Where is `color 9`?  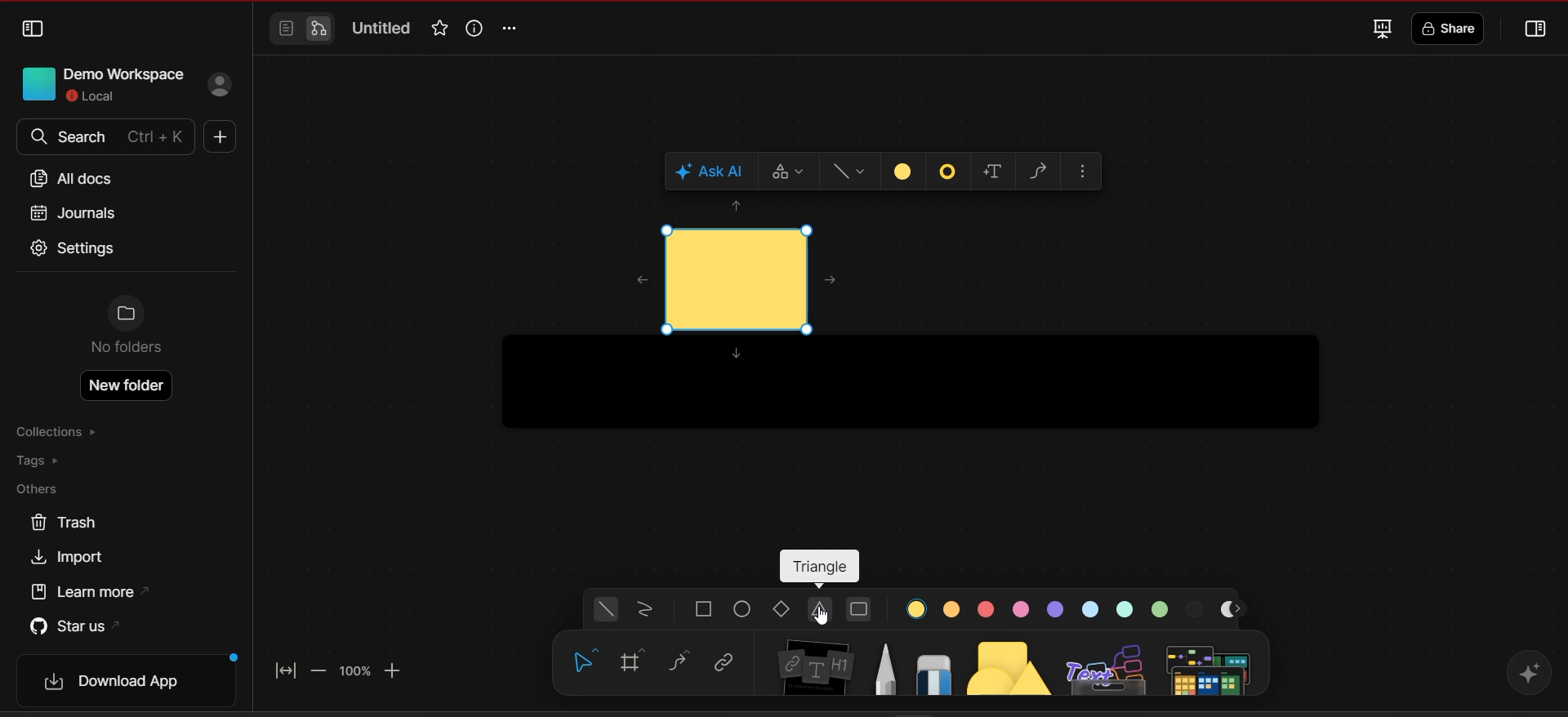
color 9 is located at coordinates (1196, 608).